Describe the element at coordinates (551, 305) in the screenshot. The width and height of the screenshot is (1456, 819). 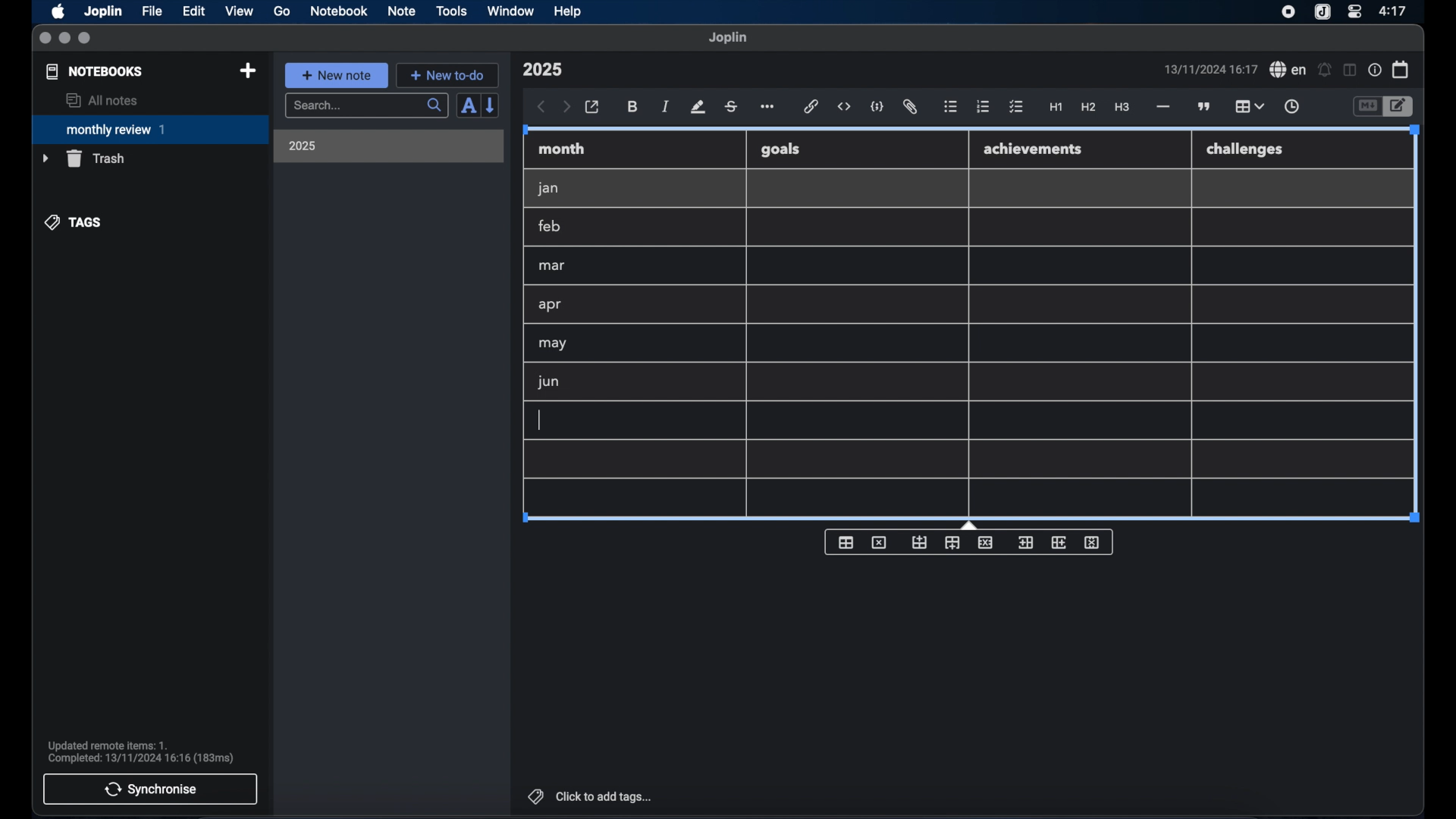
I see `apr` at that location.